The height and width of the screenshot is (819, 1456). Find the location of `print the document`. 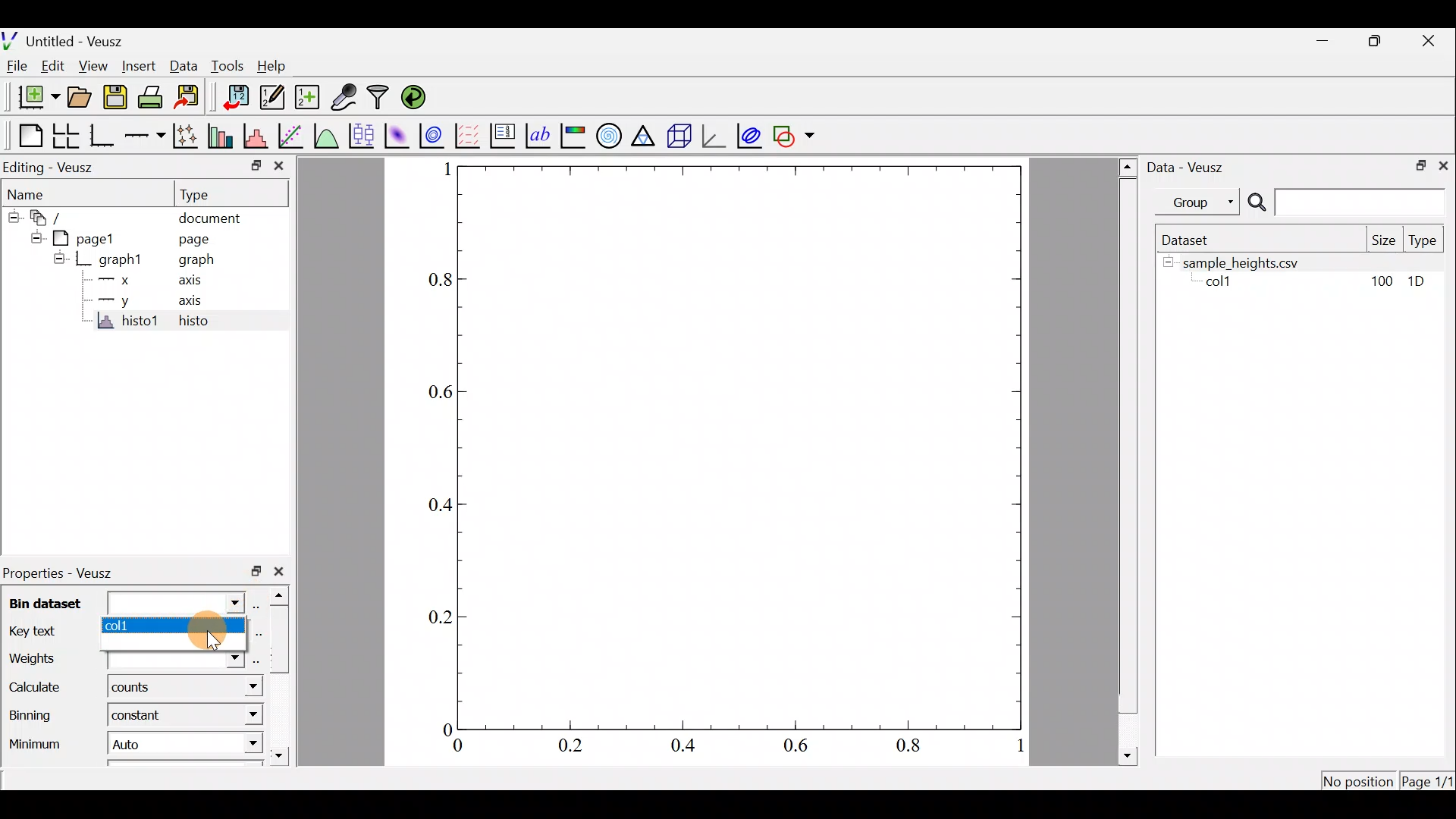

print the document is located at coordinates (153, 99).